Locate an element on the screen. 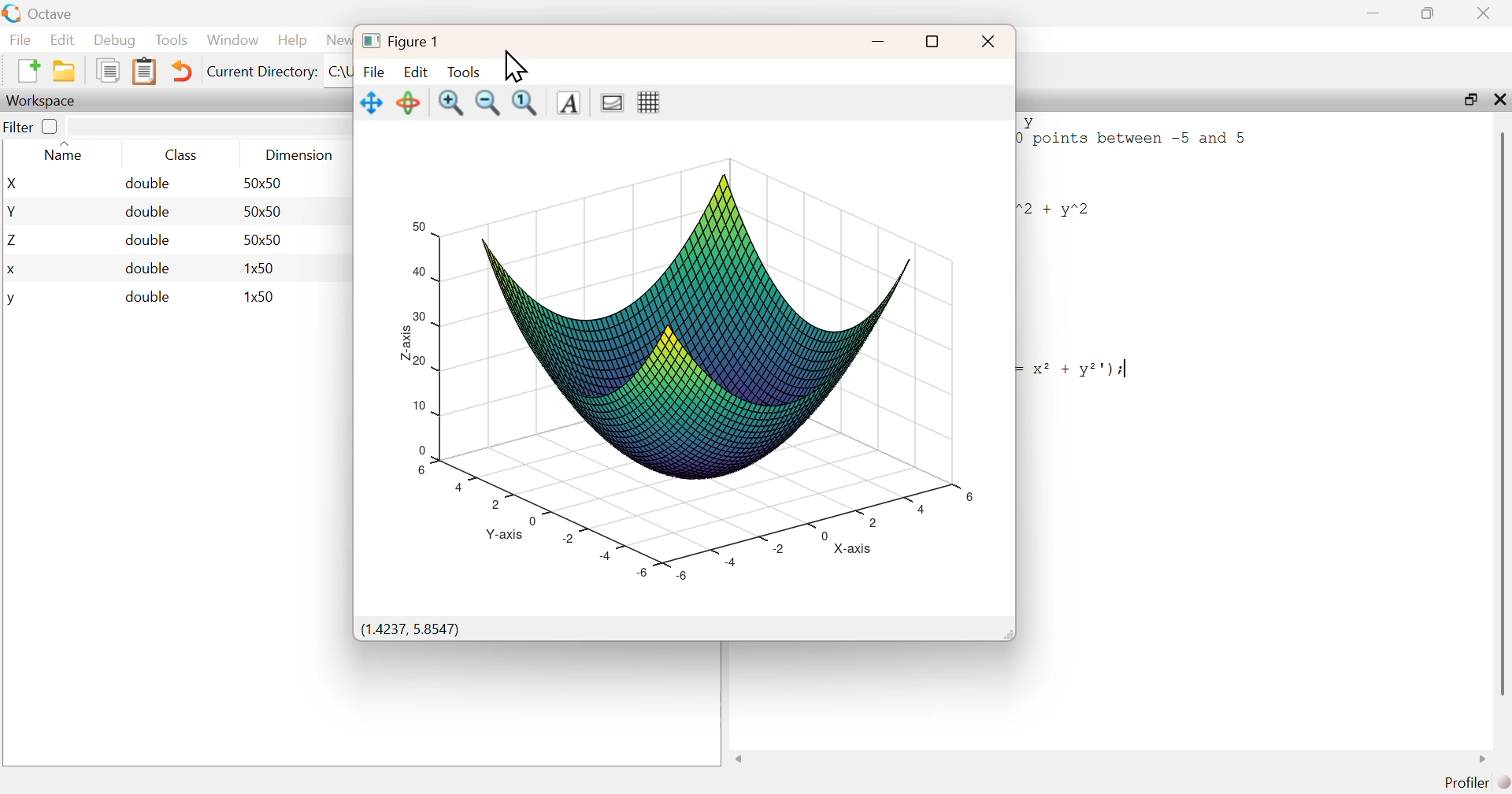 The height and width of the screenshot is (794, 1512). double is located at coordinates (147, 268).